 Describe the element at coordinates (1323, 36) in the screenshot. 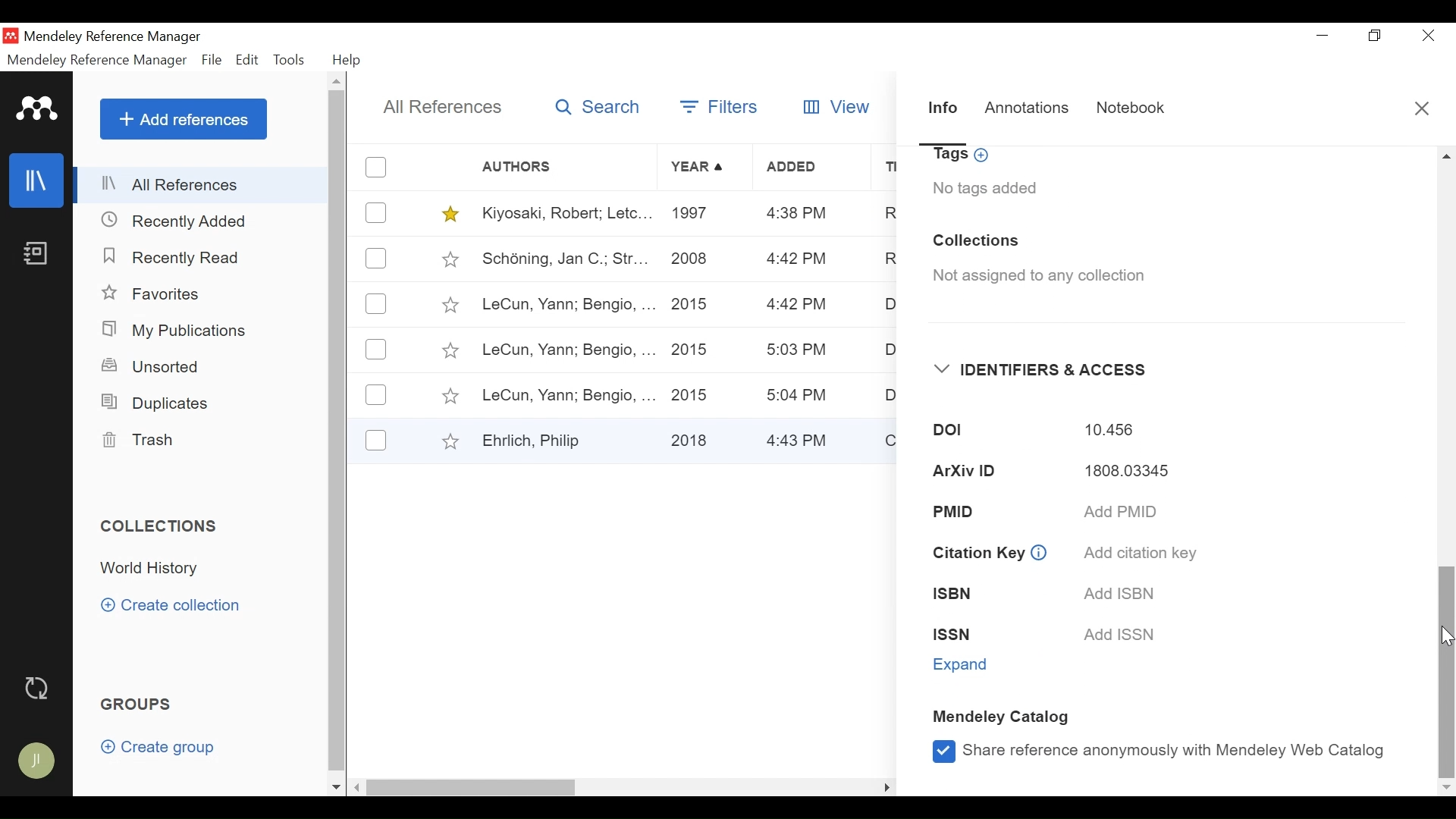

I see `minimize` at that location.